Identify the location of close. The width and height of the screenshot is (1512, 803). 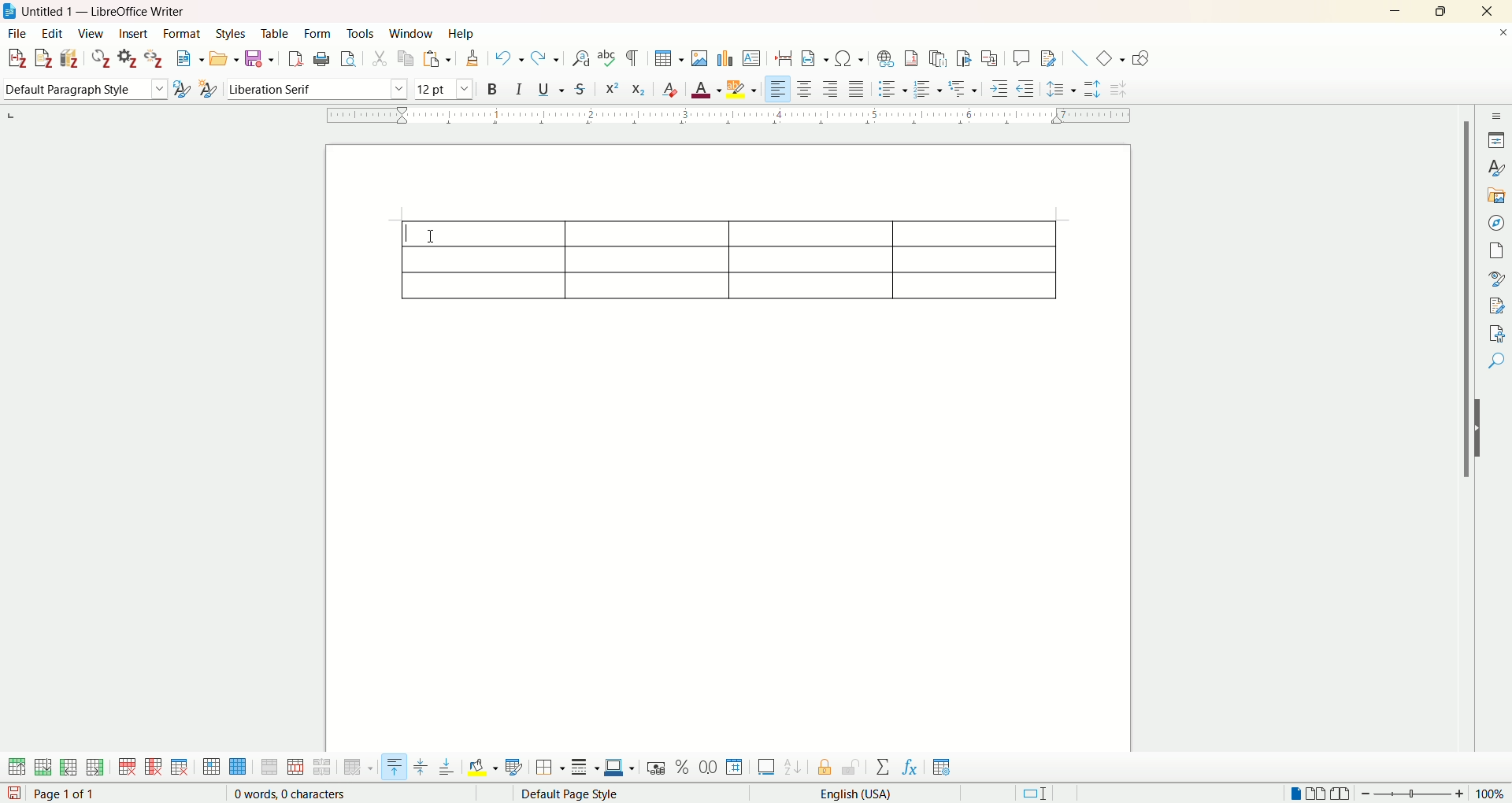
(1499, 33).